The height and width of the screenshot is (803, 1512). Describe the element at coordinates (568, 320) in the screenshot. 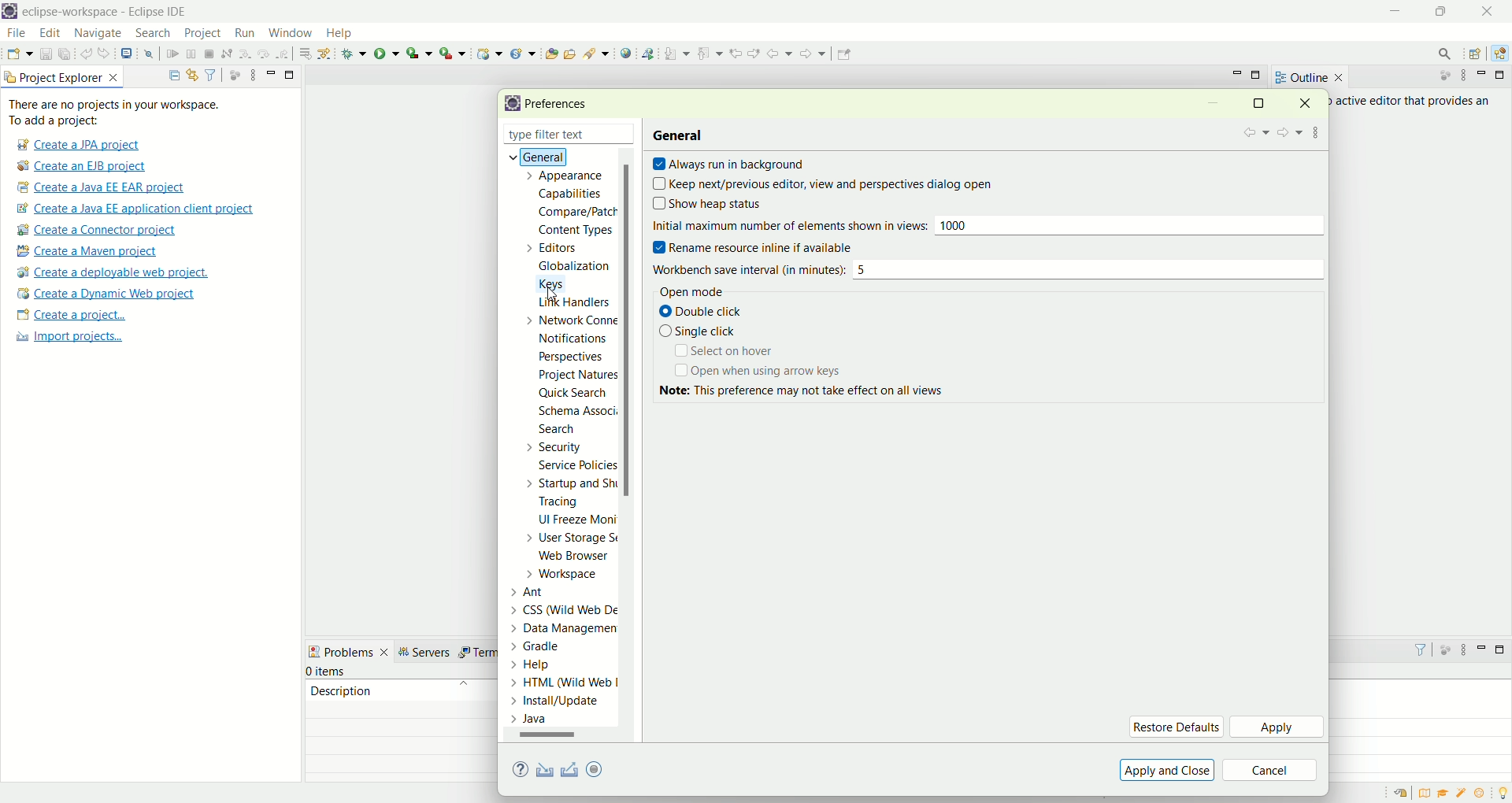

I see `network connection` at that location.